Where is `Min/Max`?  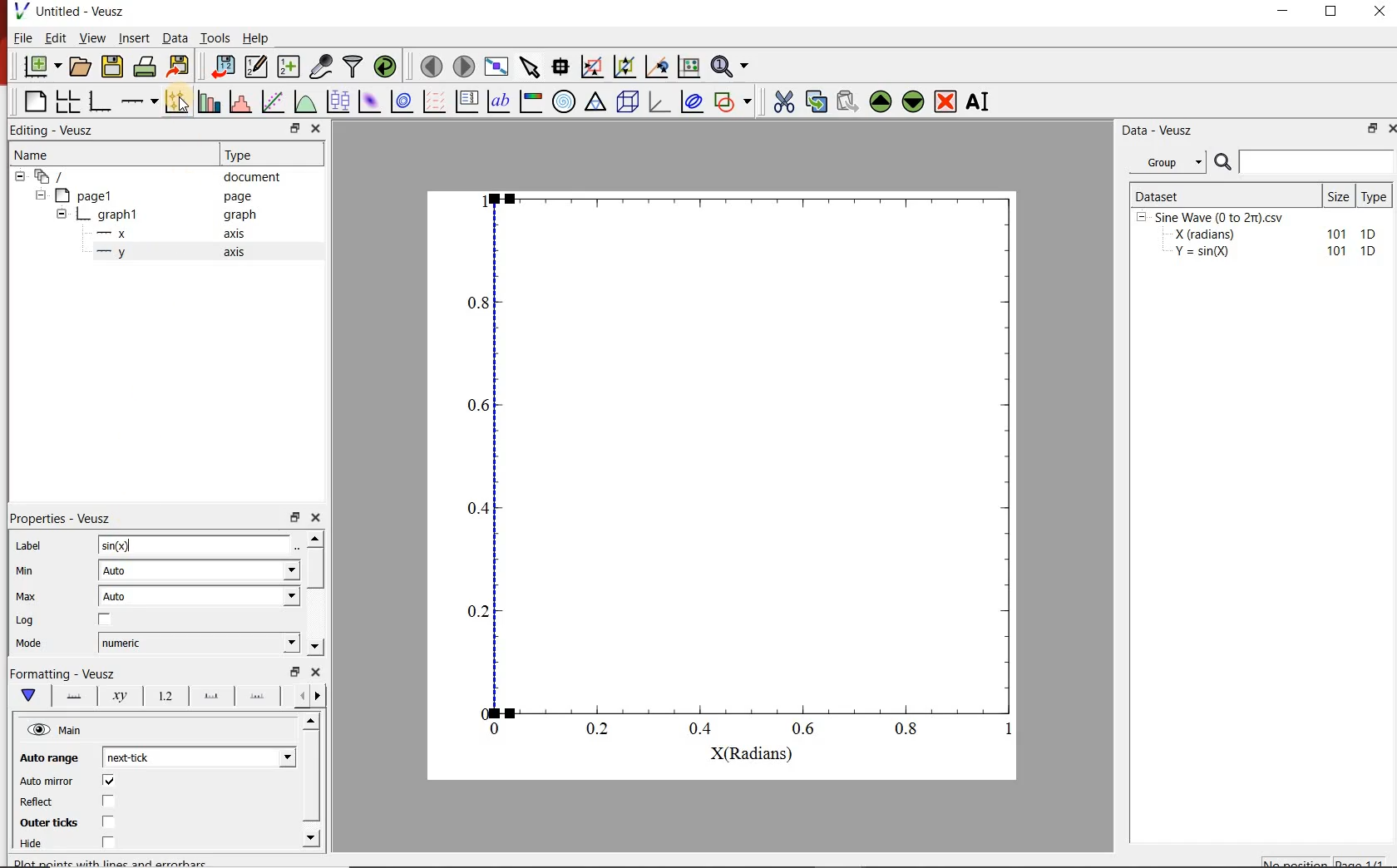 Min/Max is located at coordinates (1370, 130).